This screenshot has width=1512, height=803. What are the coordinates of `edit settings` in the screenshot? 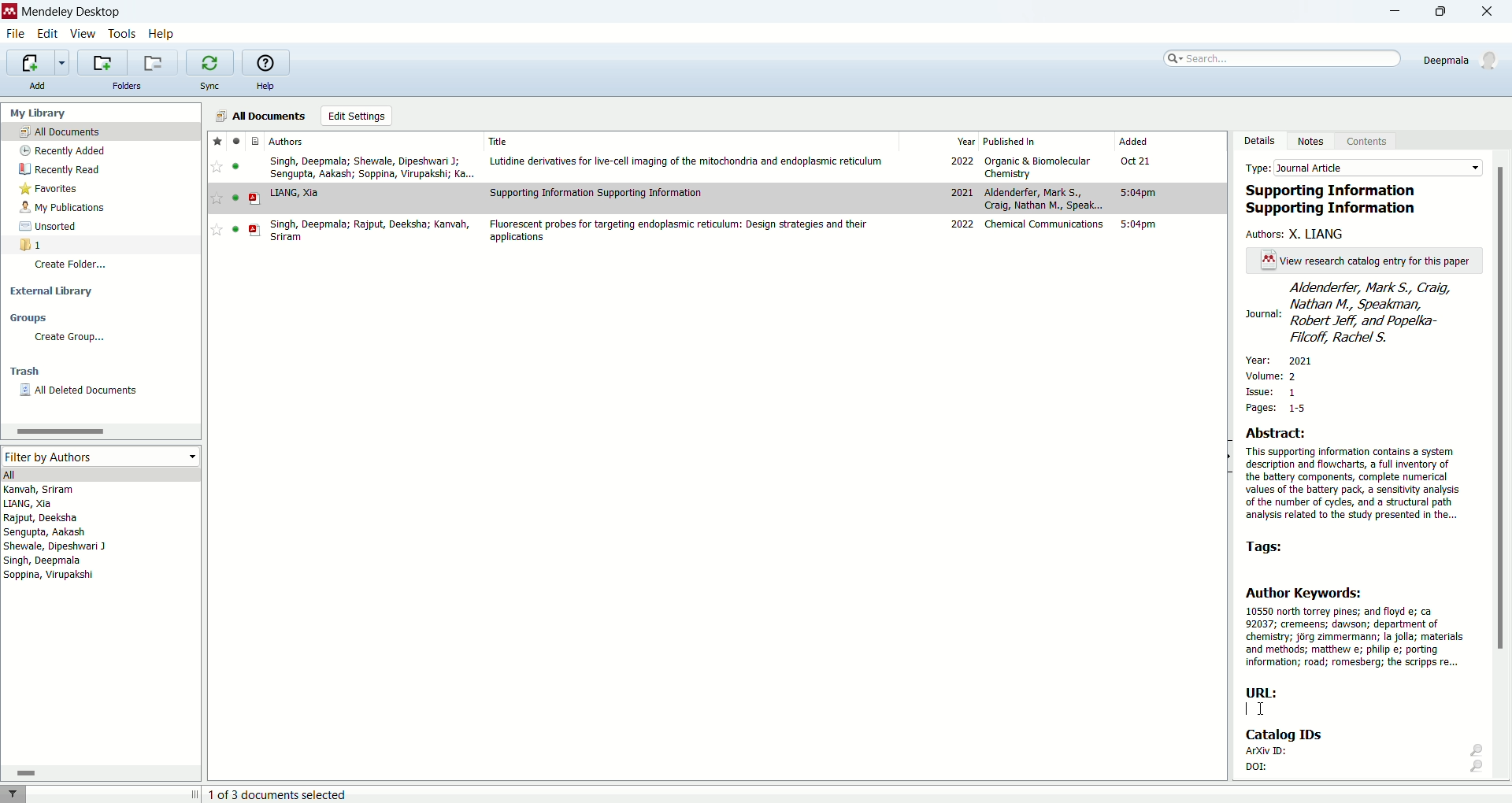 It's located at (356, 116).